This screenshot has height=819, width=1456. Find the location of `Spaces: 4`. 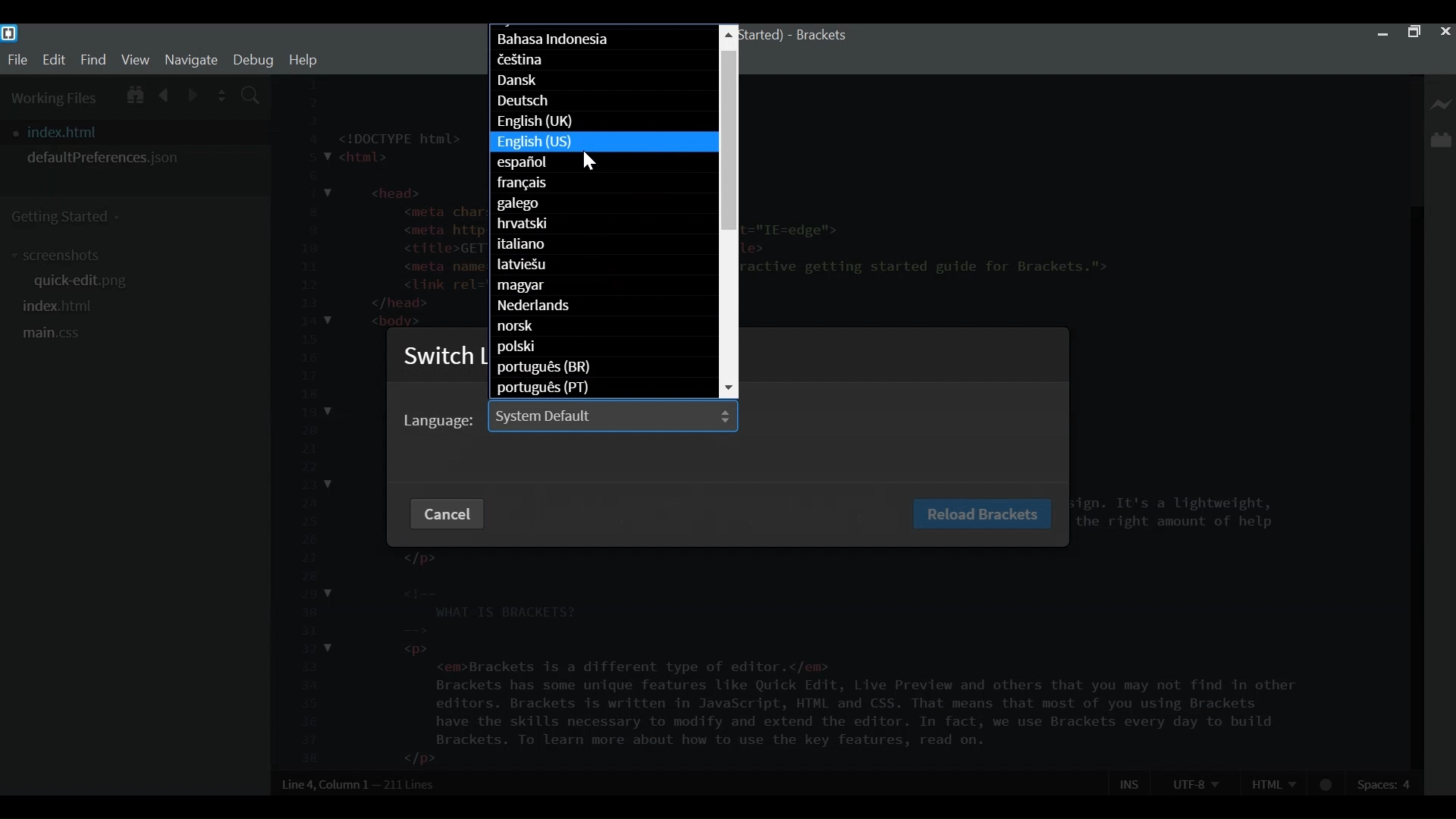

Spaces: 4 is located at coordinates (1386, 783).